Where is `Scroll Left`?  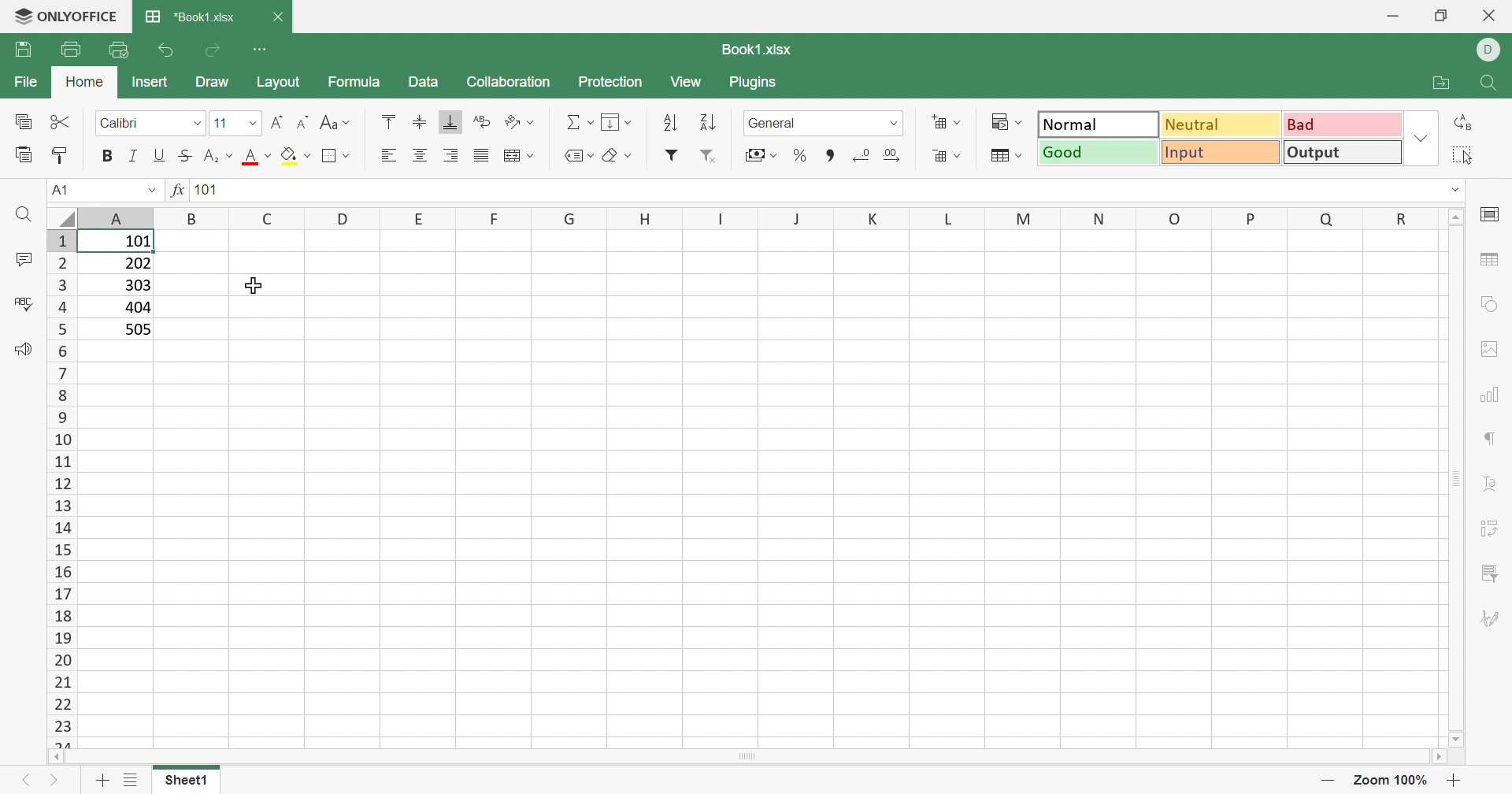 Scroll Left is located at coordinates (62, 759).